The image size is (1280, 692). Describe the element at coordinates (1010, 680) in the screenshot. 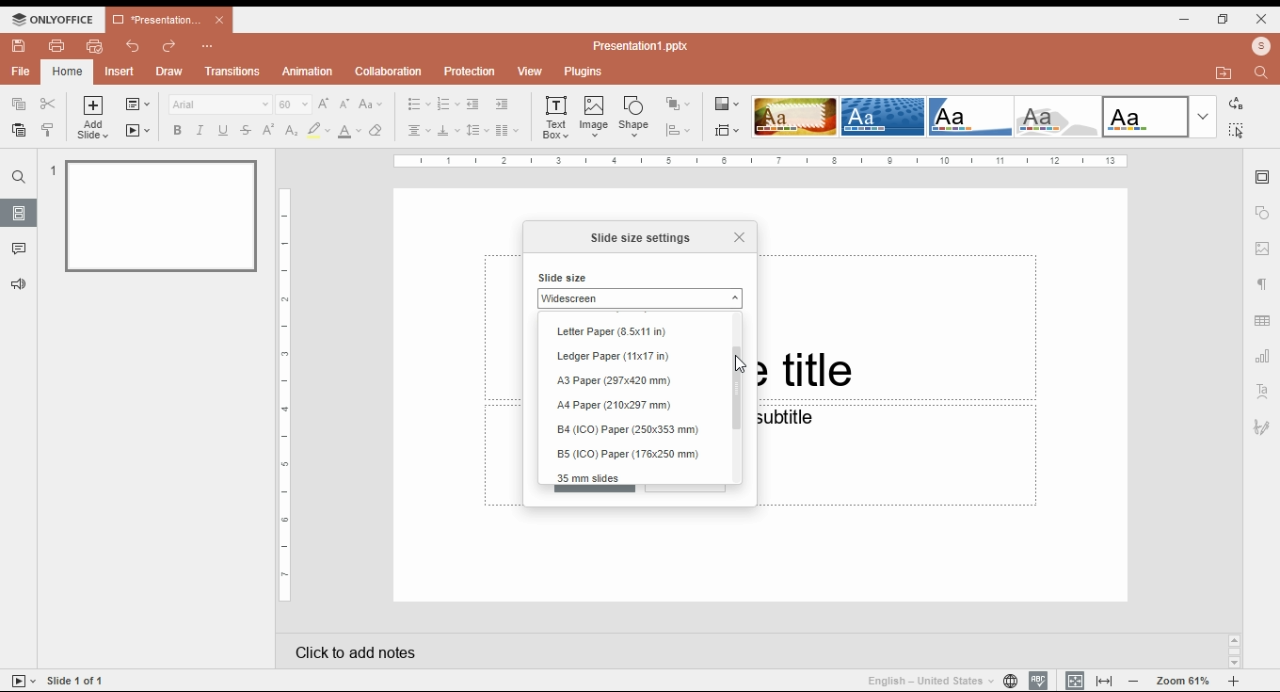

I see `set document language` at that location.